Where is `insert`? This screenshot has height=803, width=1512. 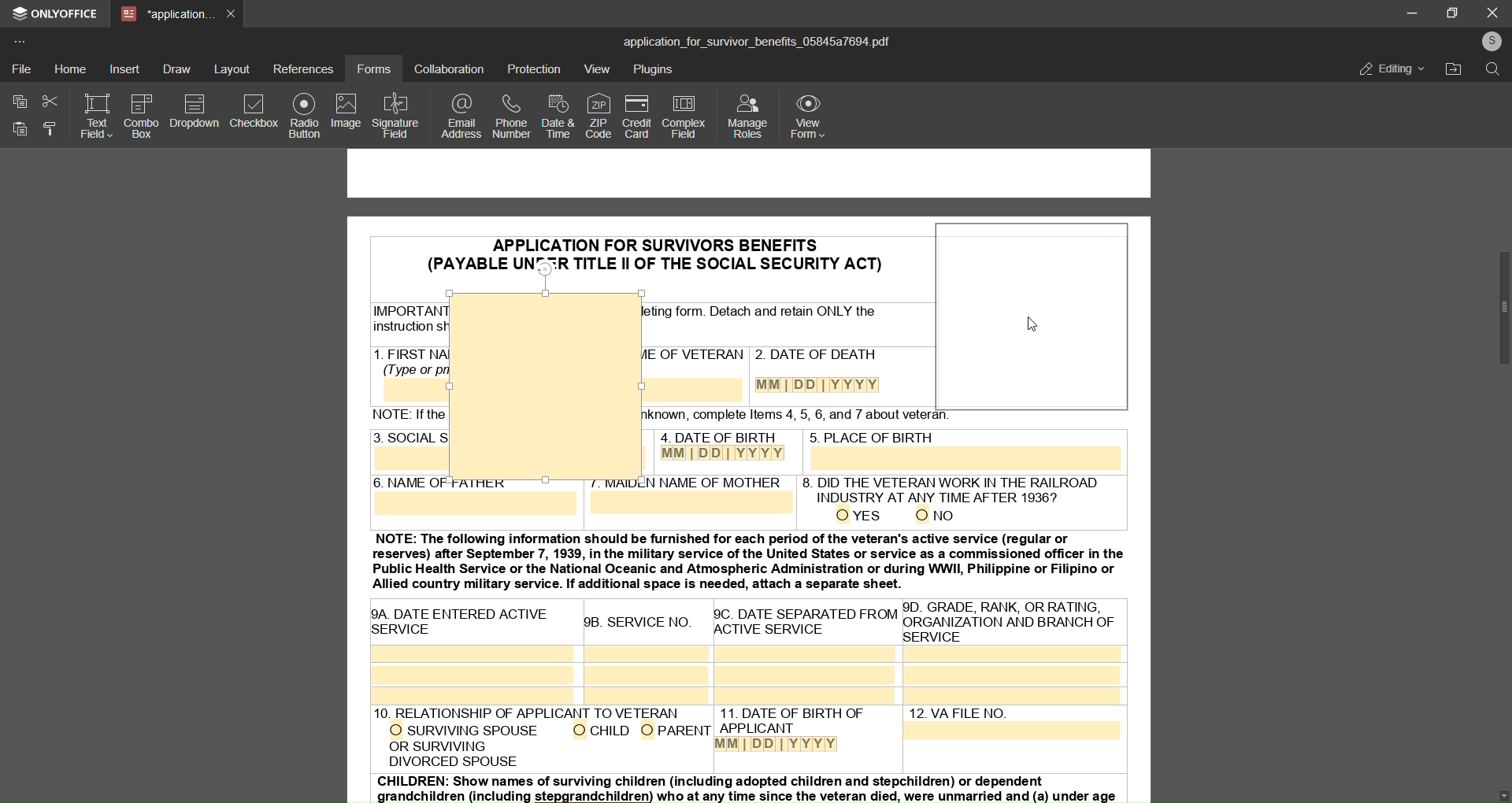
insert is located at coordinates (126, 70).